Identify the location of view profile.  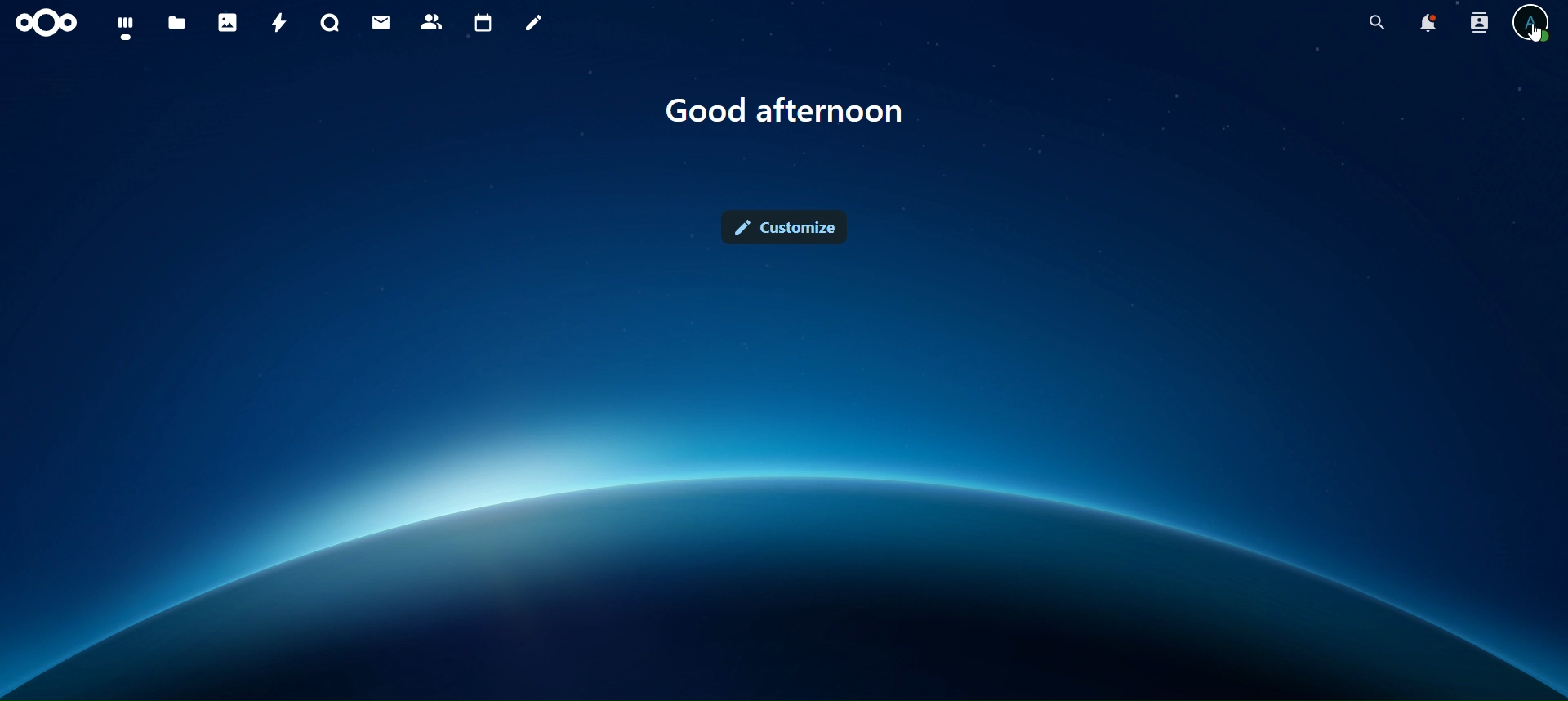
(1530, 25).